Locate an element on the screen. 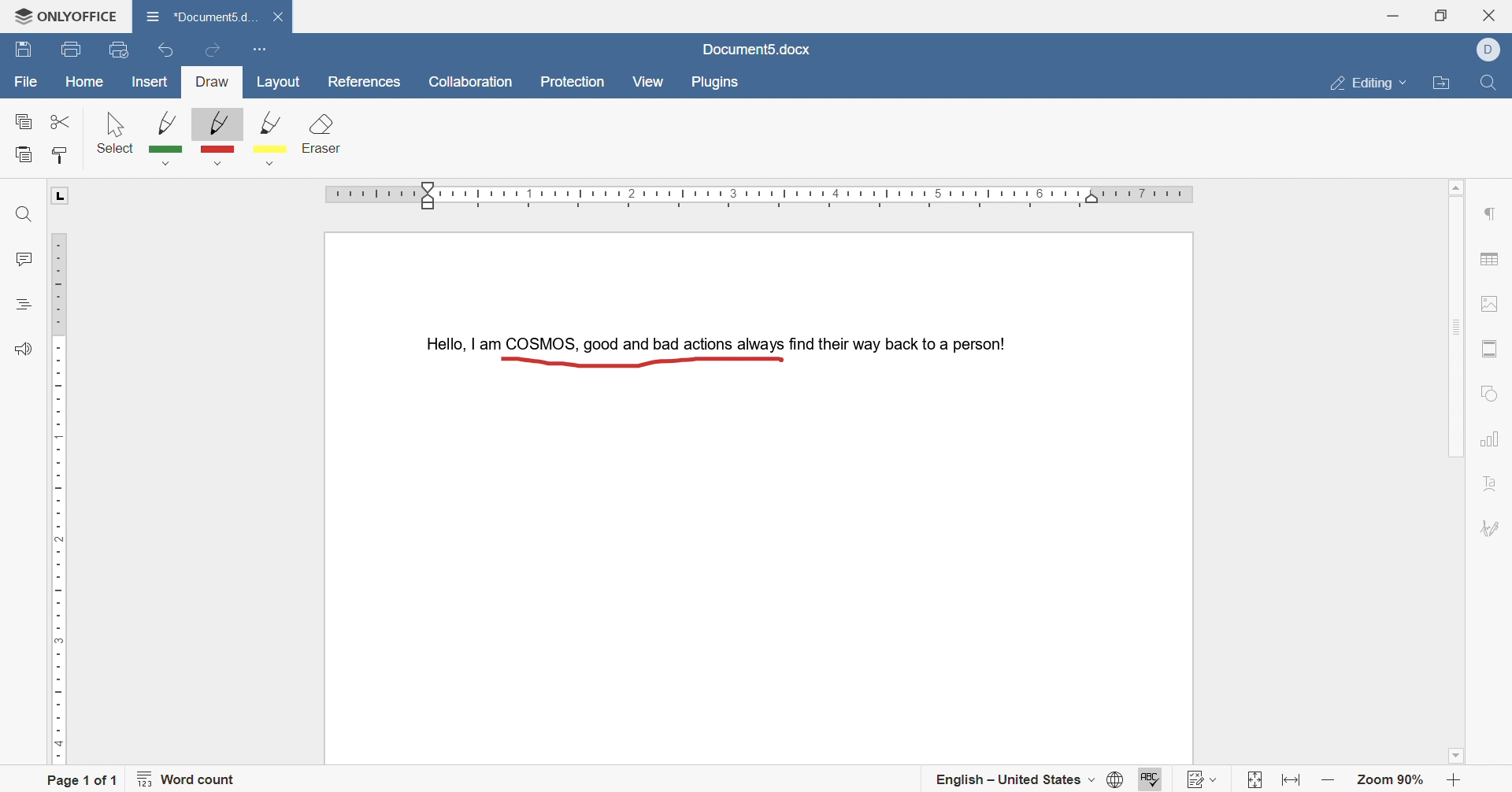 The image size is (1512, 792). close is located at coordinates (1495, 13).